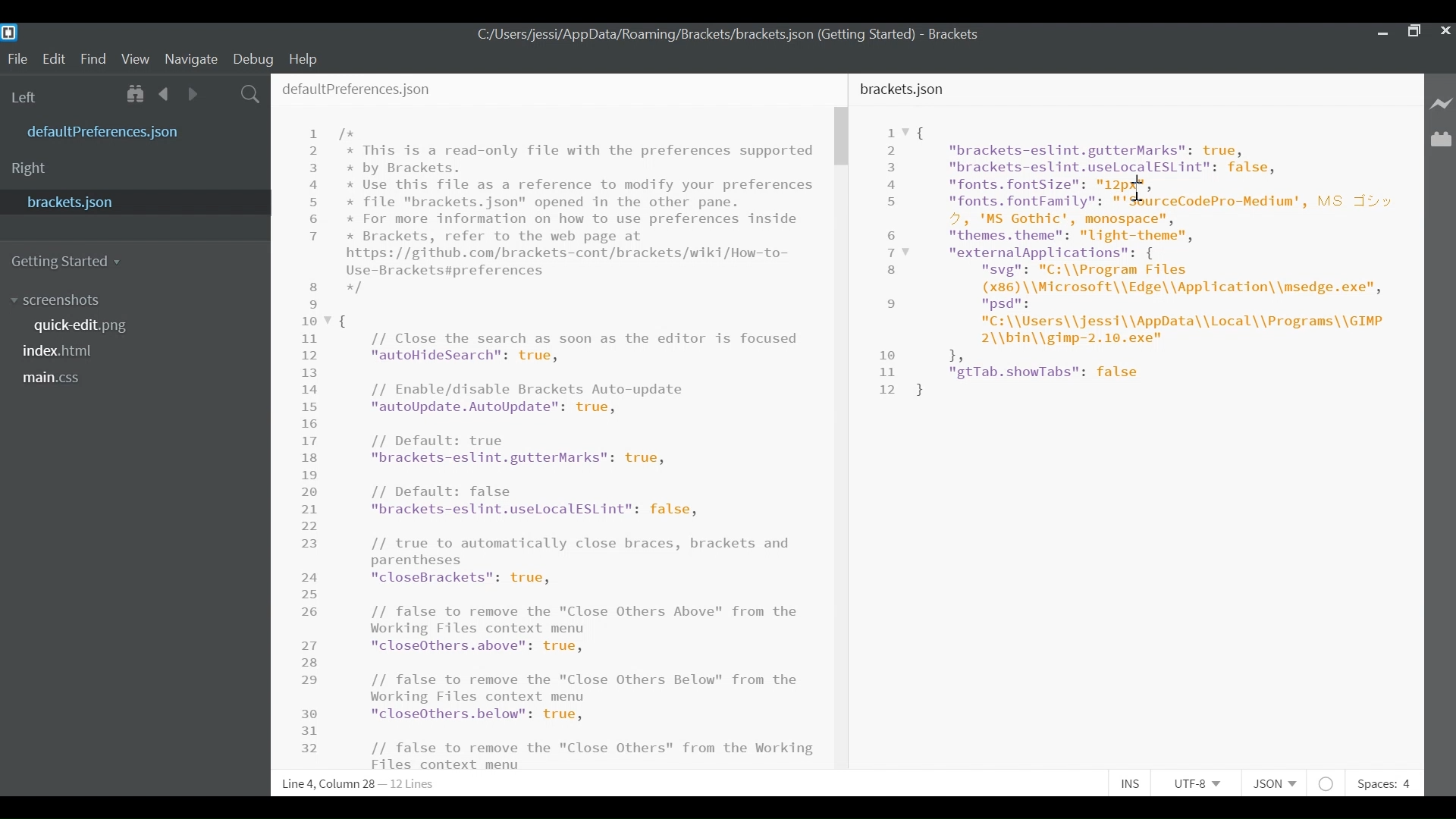 This screenshot has width=1456, height=819. I want to click on Cursor, so click(1141, 187).